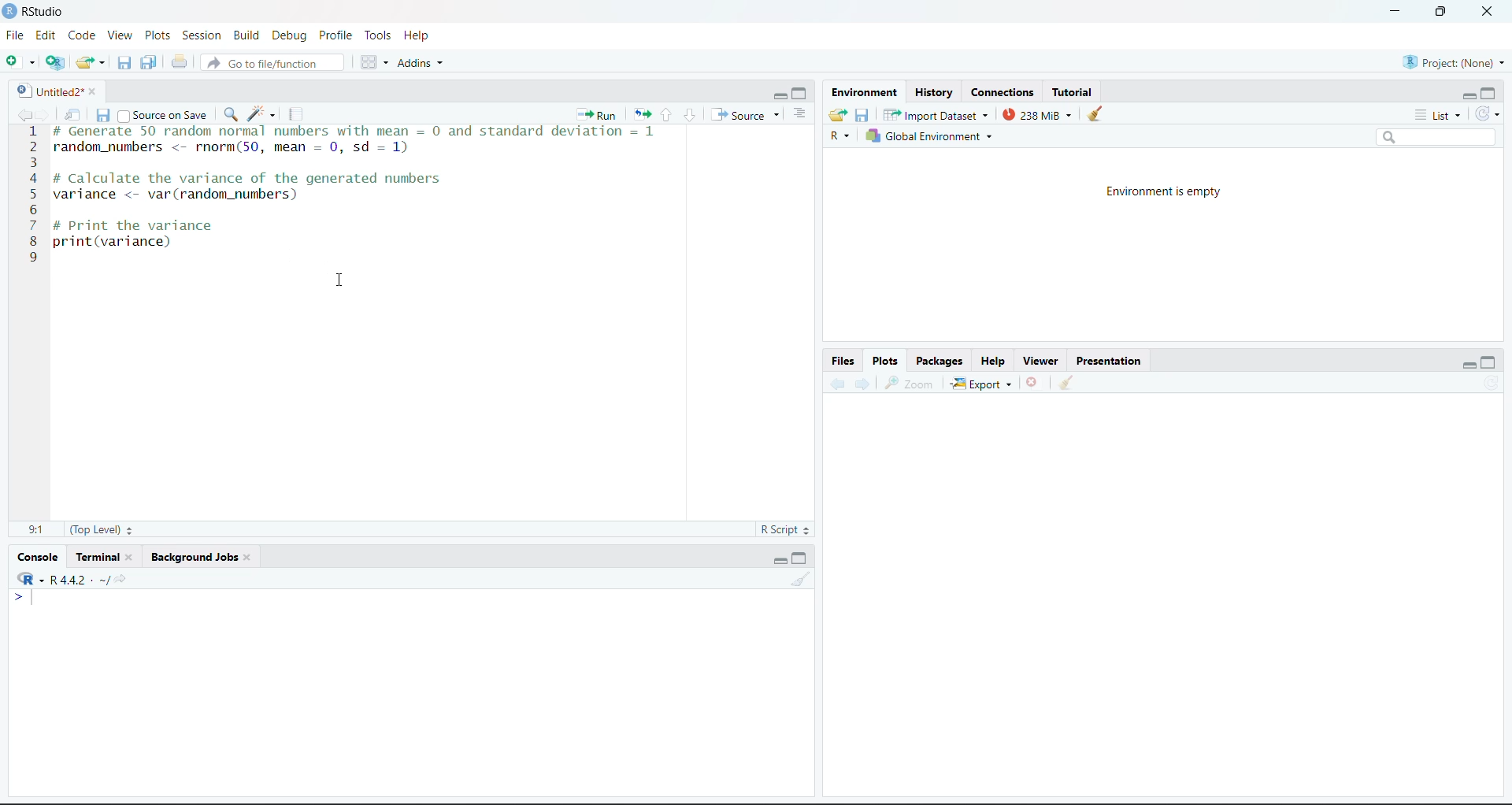 The height and width of the screenshot is (805, 1512). I want to click on save, so click(863, 116).